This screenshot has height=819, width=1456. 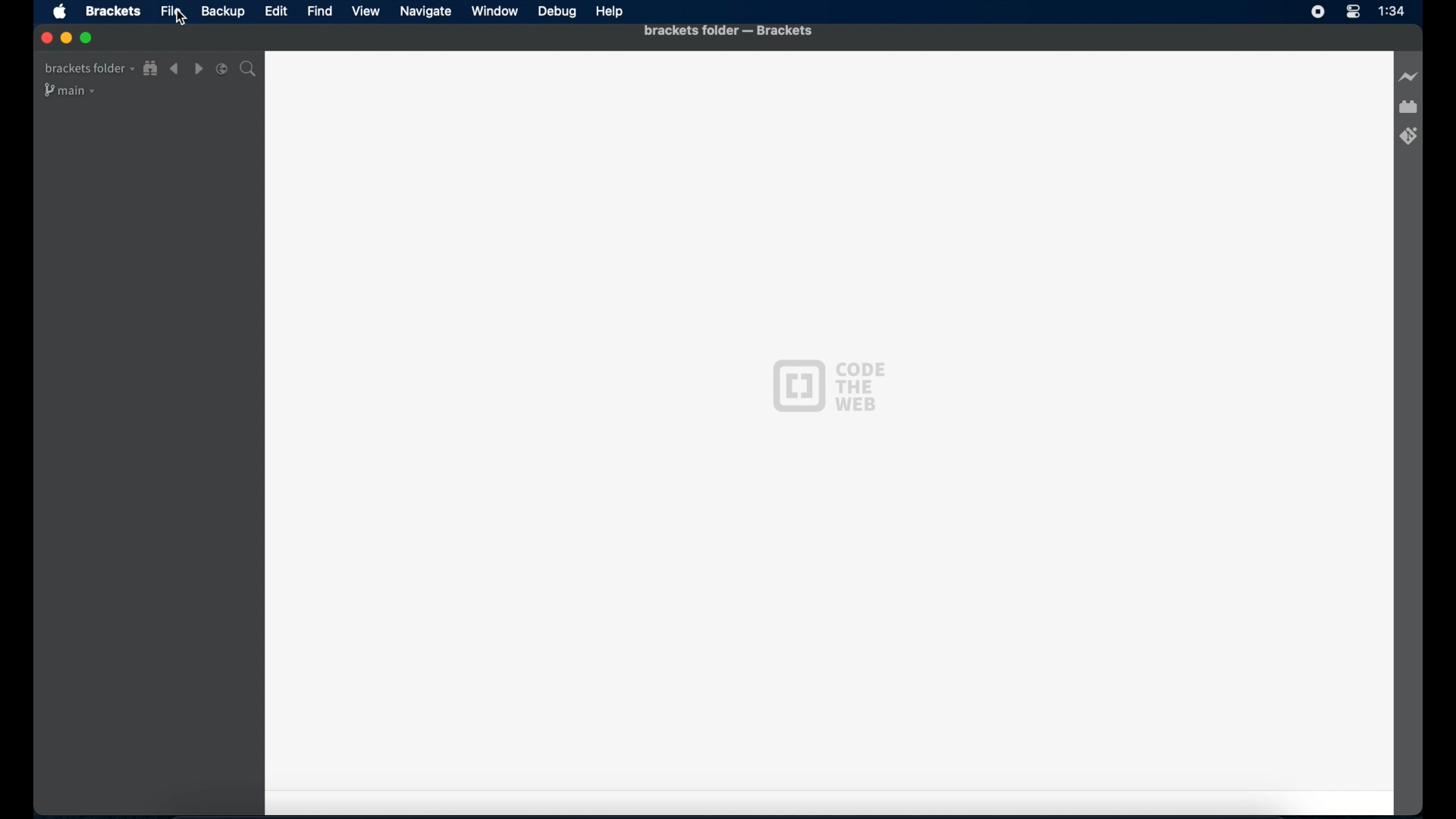 What do you see at coordinates (1410, 136) in the screenshot?
I see `Brackets git extension` at bounding box center [1410, 136].